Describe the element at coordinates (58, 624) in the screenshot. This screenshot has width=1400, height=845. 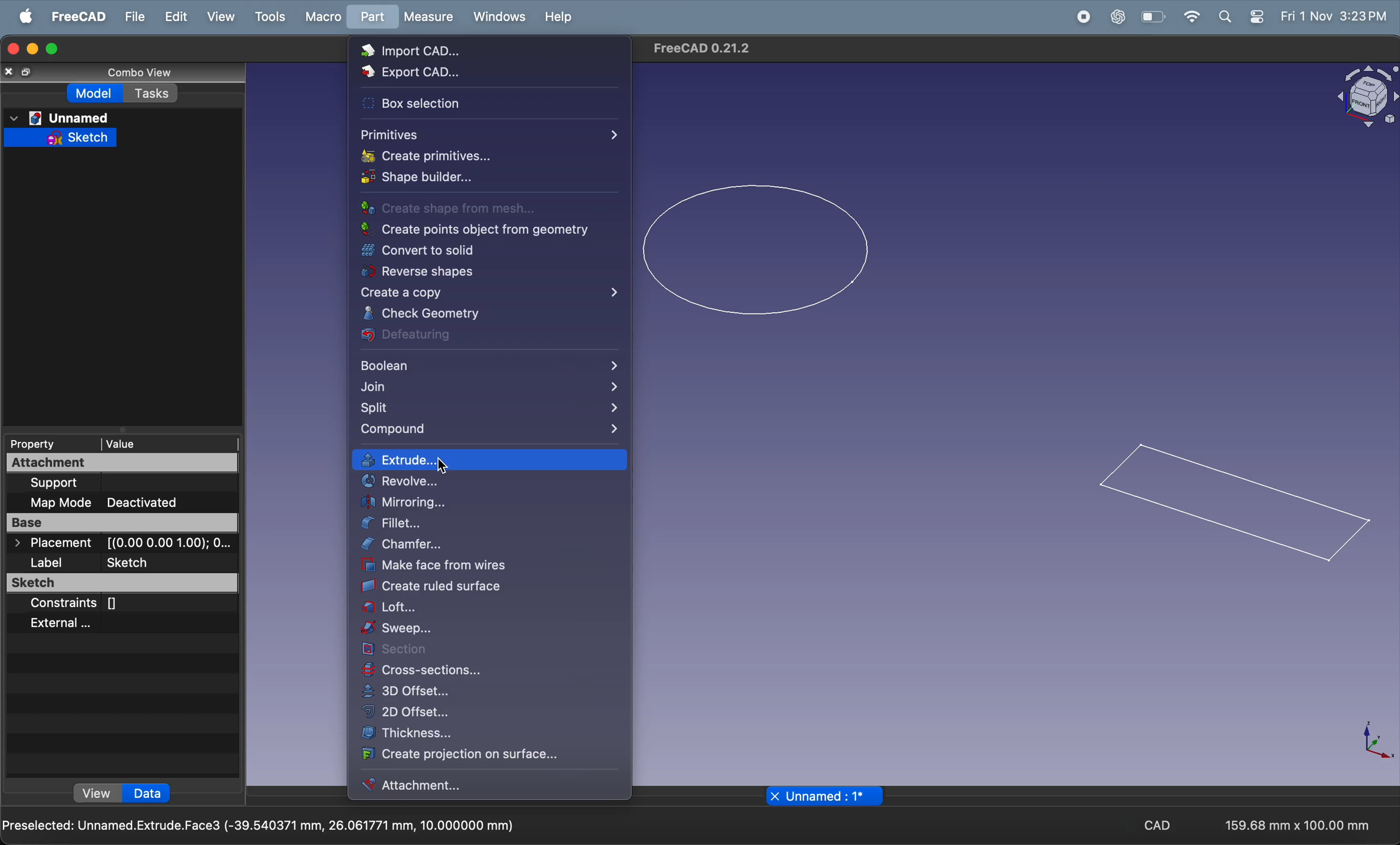
I see `External ...` at that location.